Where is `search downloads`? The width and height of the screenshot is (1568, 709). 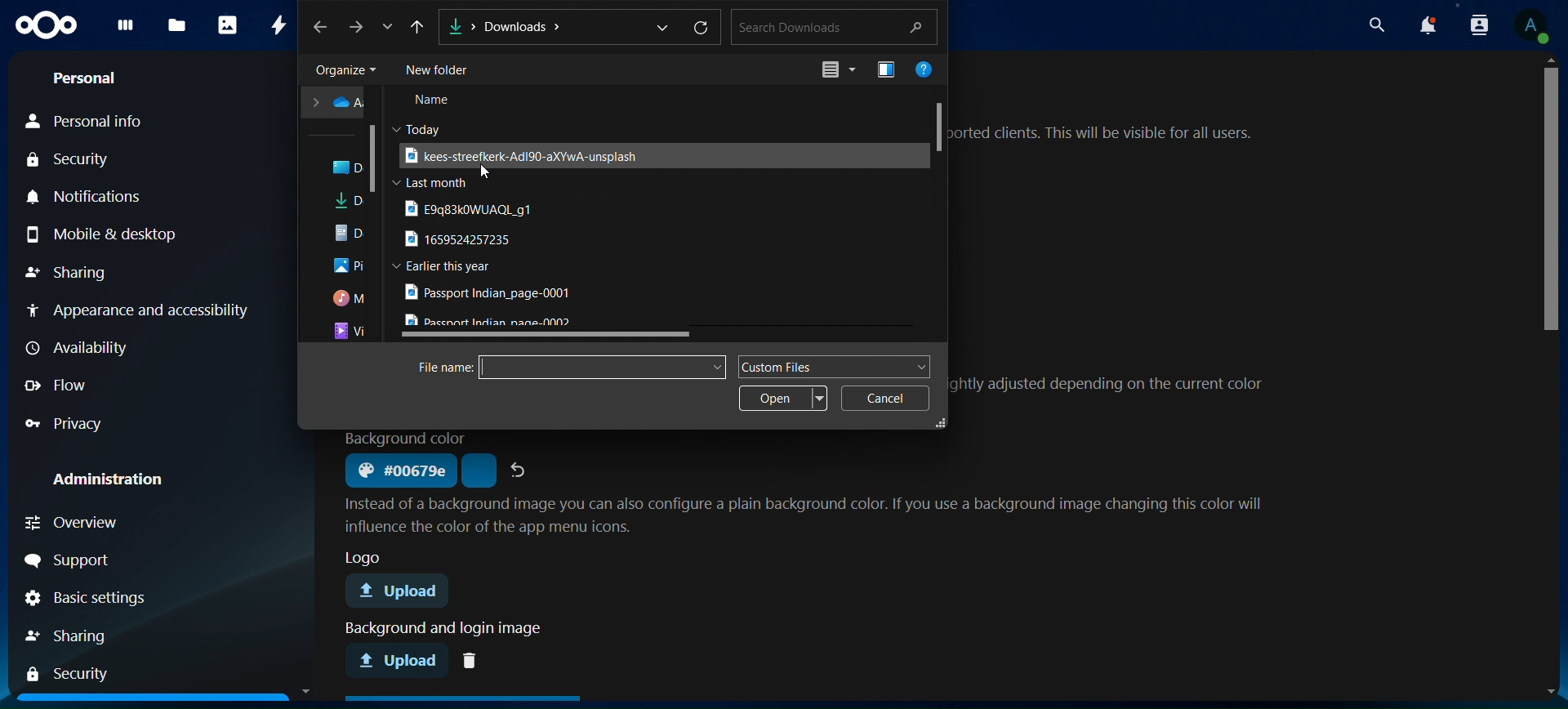
search downloads is located at coordinates (831, 26).